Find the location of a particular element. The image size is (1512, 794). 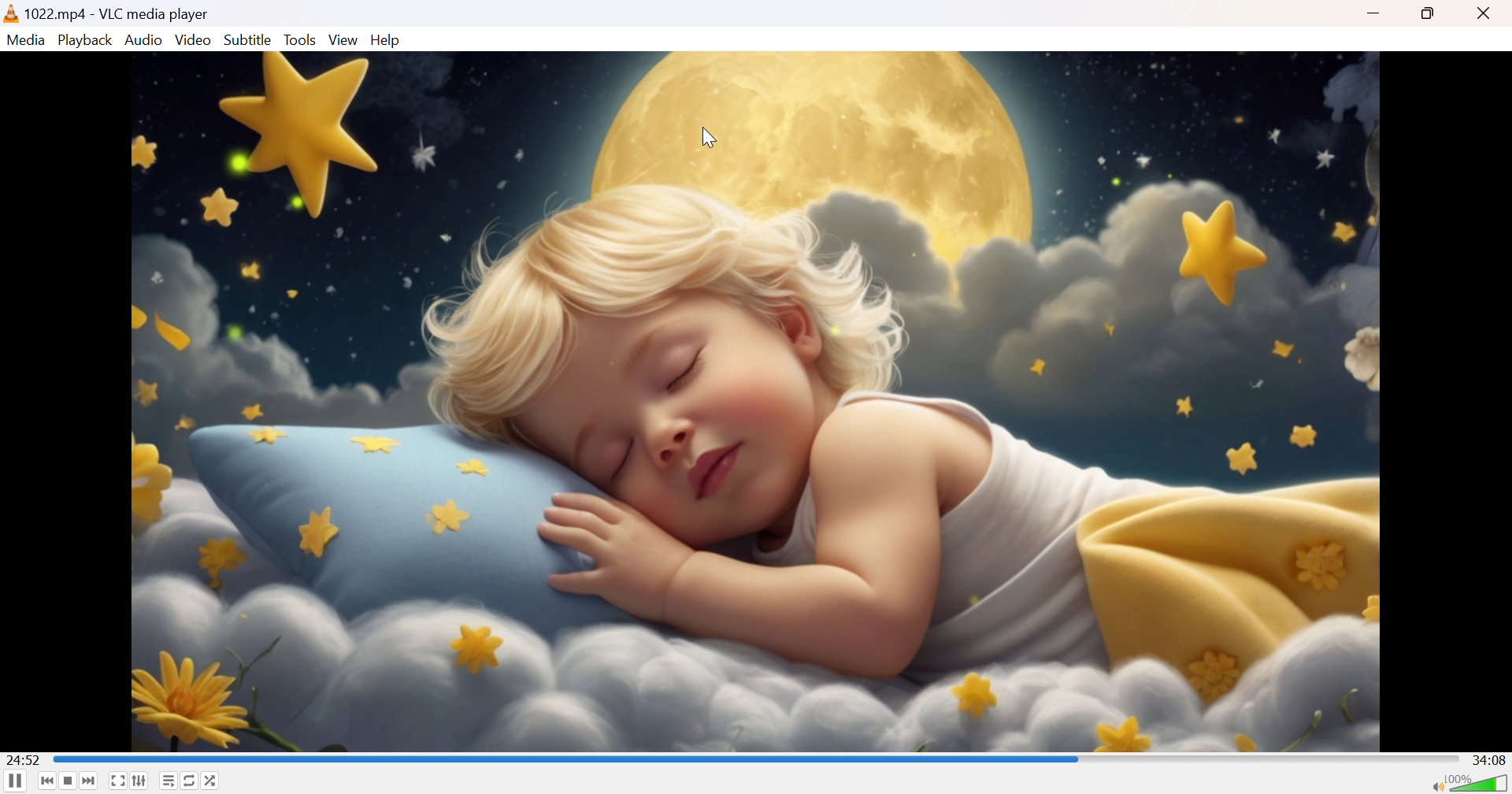

Tools is located at coordinates (301, 40).